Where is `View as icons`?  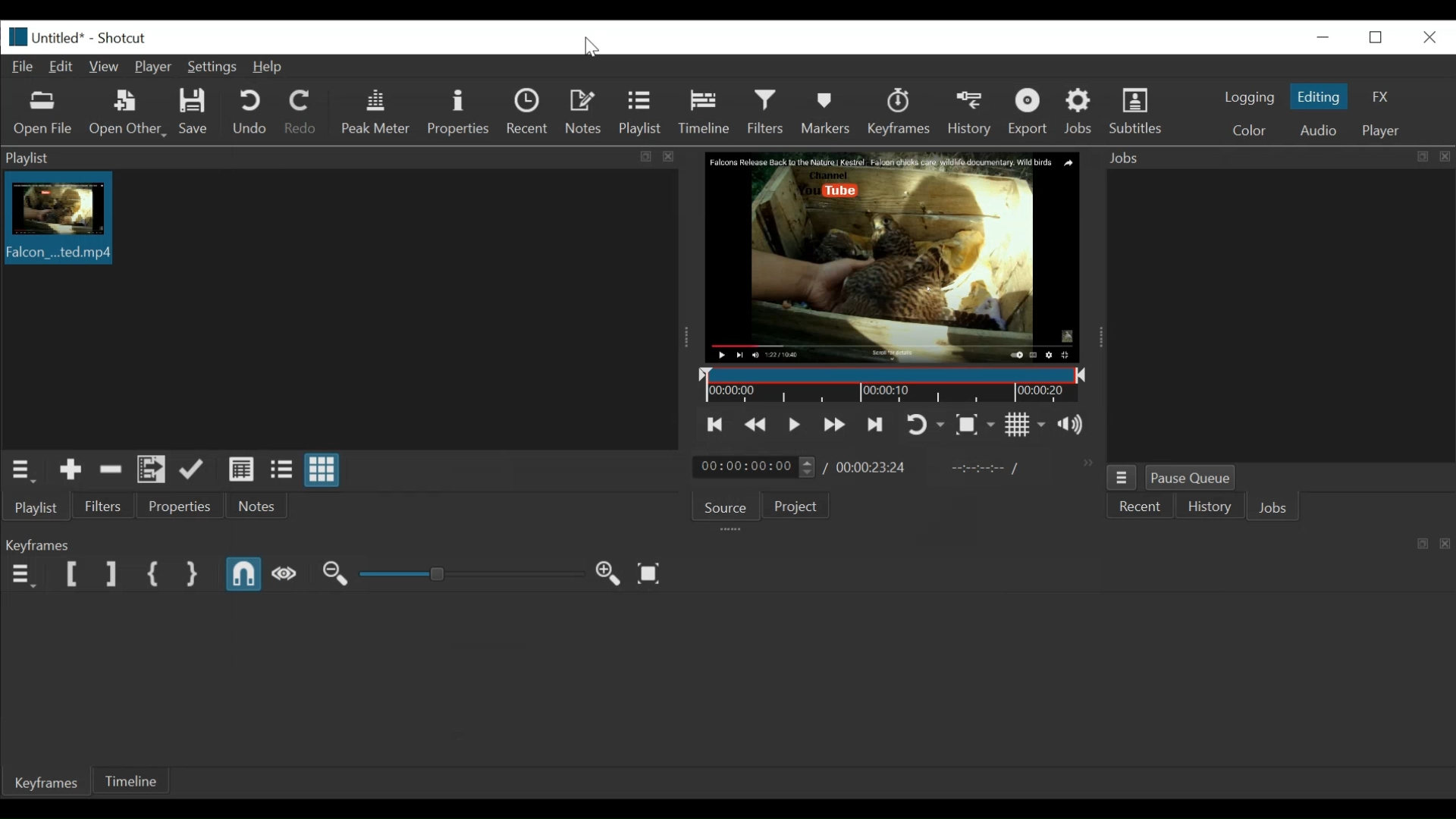
View as icons is located at coordinates (322, 472).